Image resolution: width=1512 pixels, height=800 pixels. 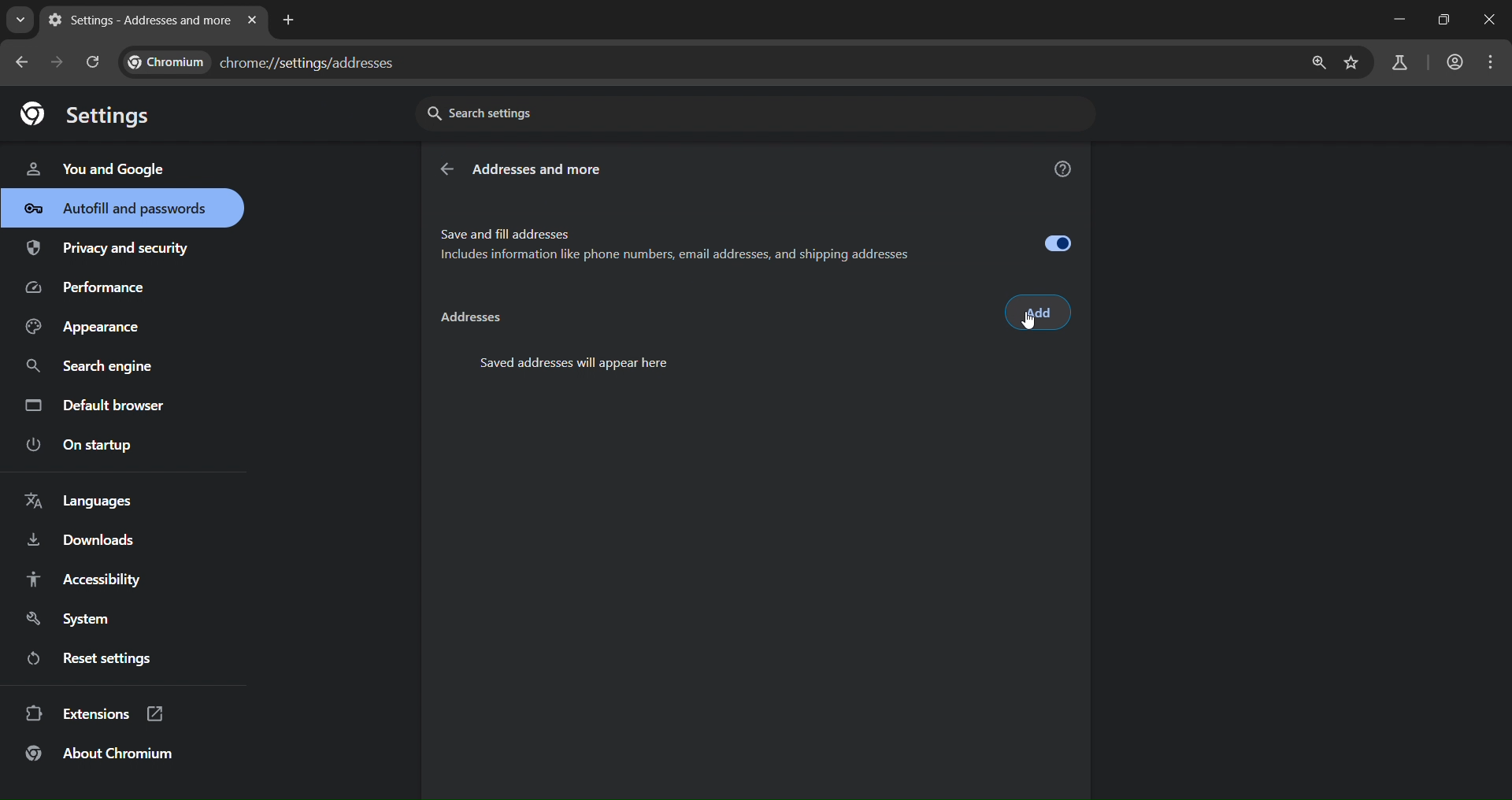 I want to click on default engine, so click(x=98, y=408).